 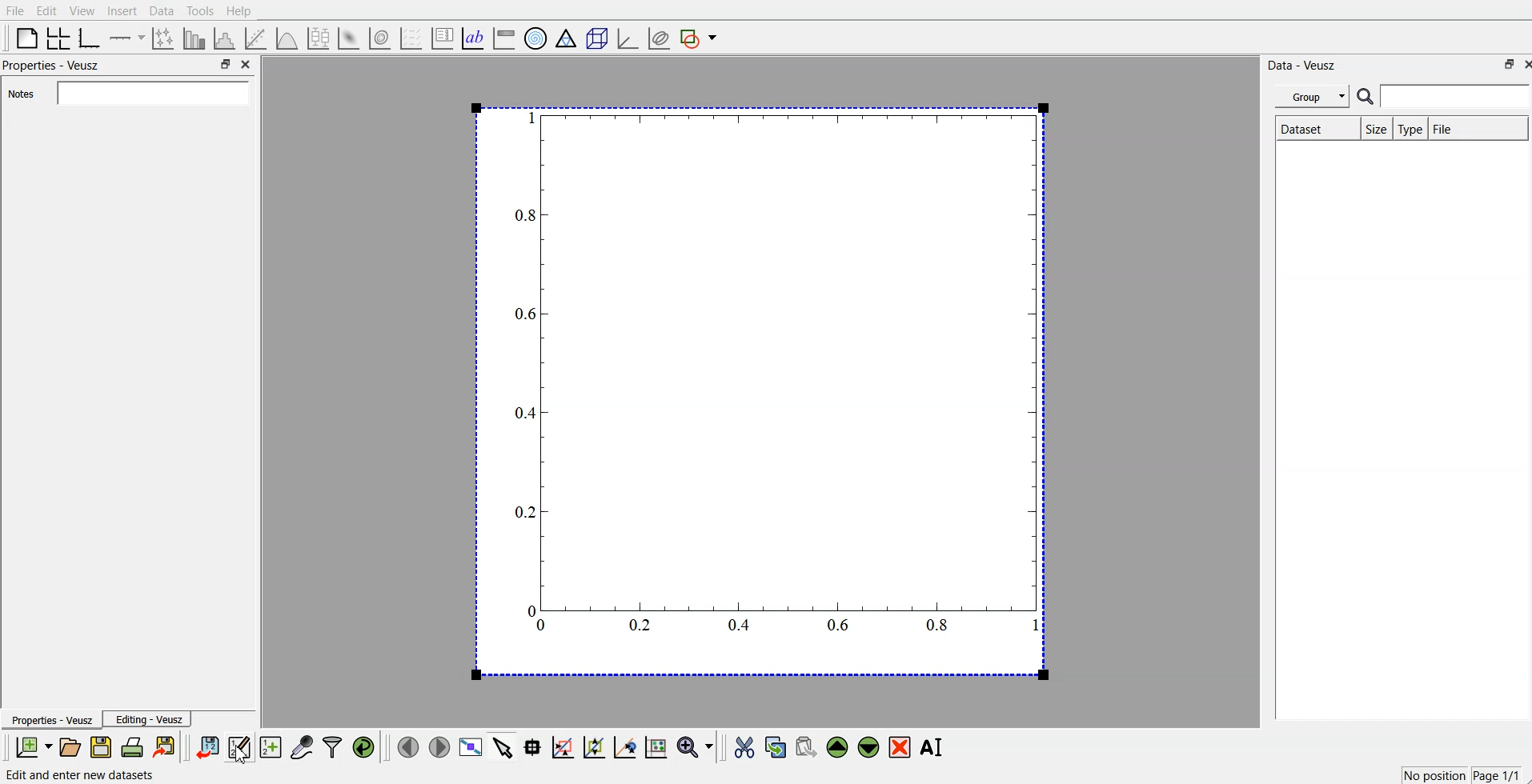 What do you see at coordinates (208, 748) in the screenshot?
I see `import data points` at bounding box center [208, 748].